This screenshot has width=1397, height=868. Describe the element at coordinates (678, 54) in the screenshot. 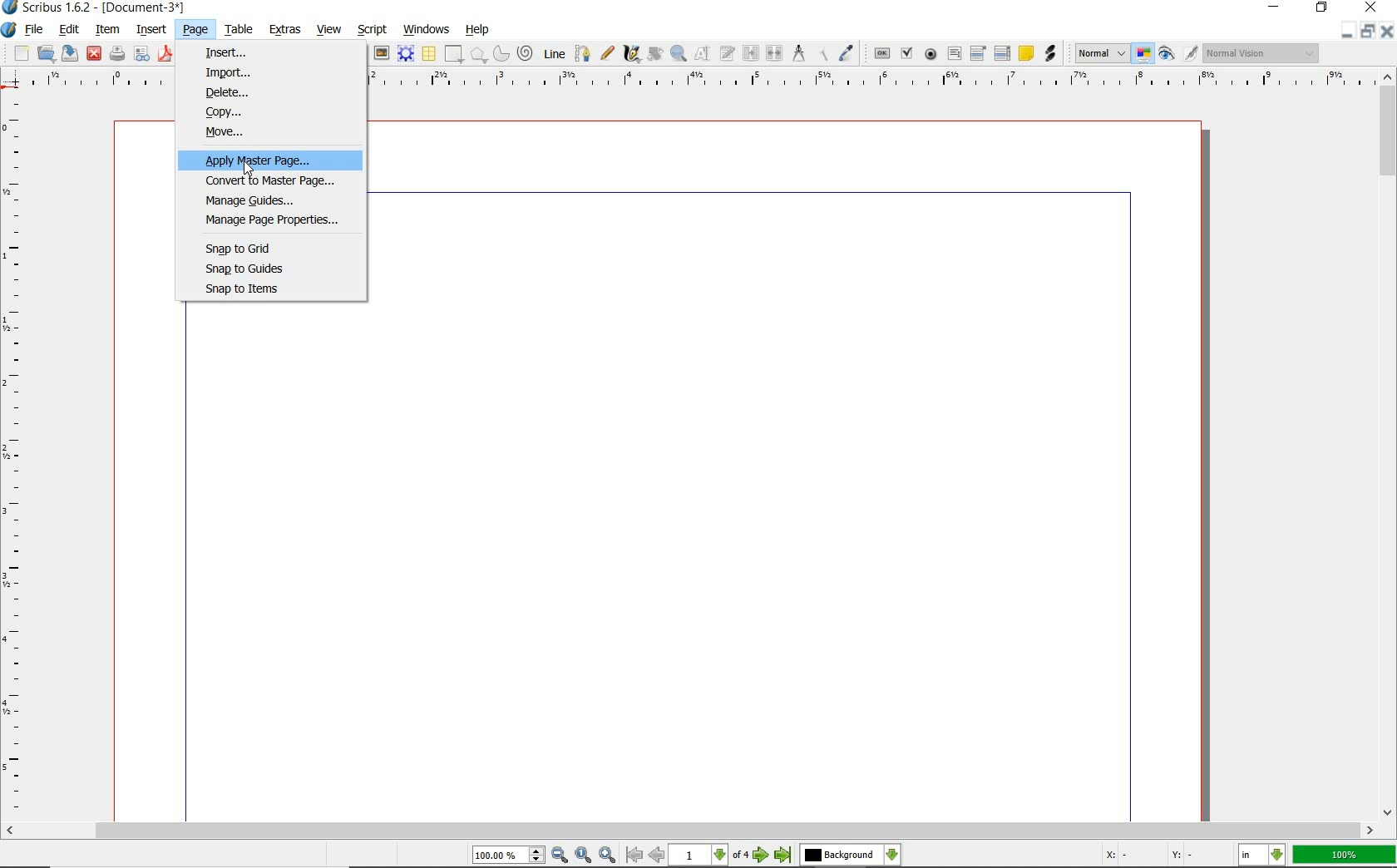

I see `zoom in or zoom out` at that location.